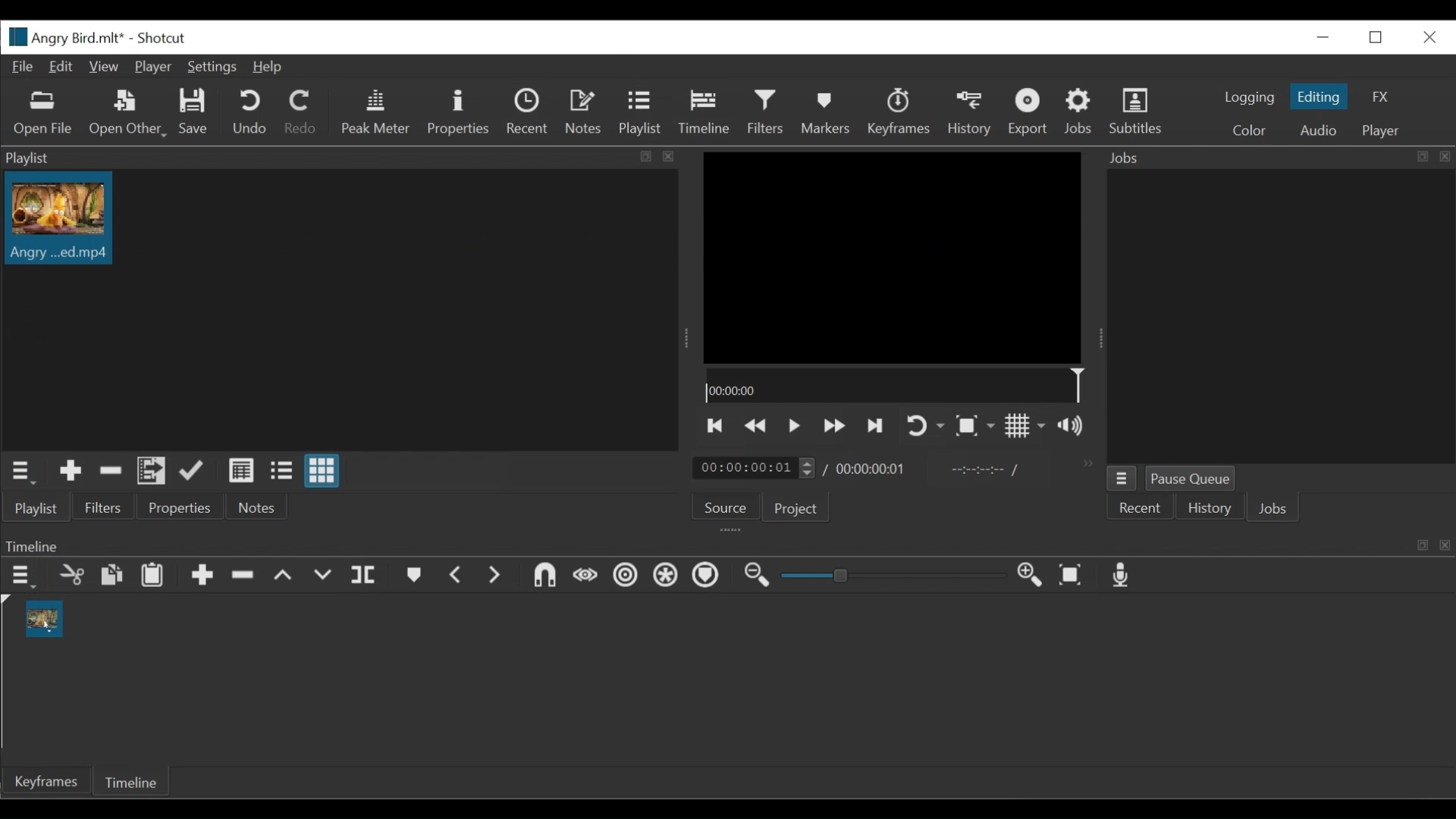  What do you see at coordinates (183, 507) in the screenshot?
I see `Properties` at bounding box center [183, 507].